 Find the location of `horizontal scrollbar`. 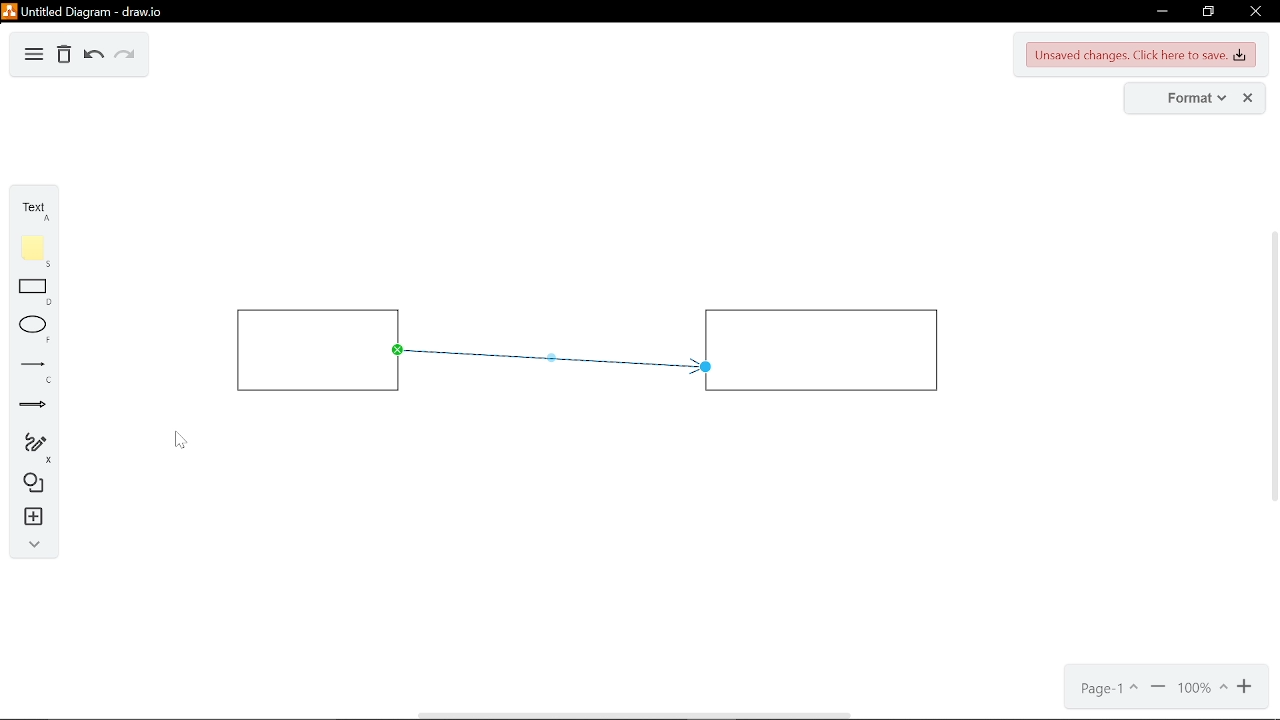

horizontal scrollbar is located at coordinates (638, 715).